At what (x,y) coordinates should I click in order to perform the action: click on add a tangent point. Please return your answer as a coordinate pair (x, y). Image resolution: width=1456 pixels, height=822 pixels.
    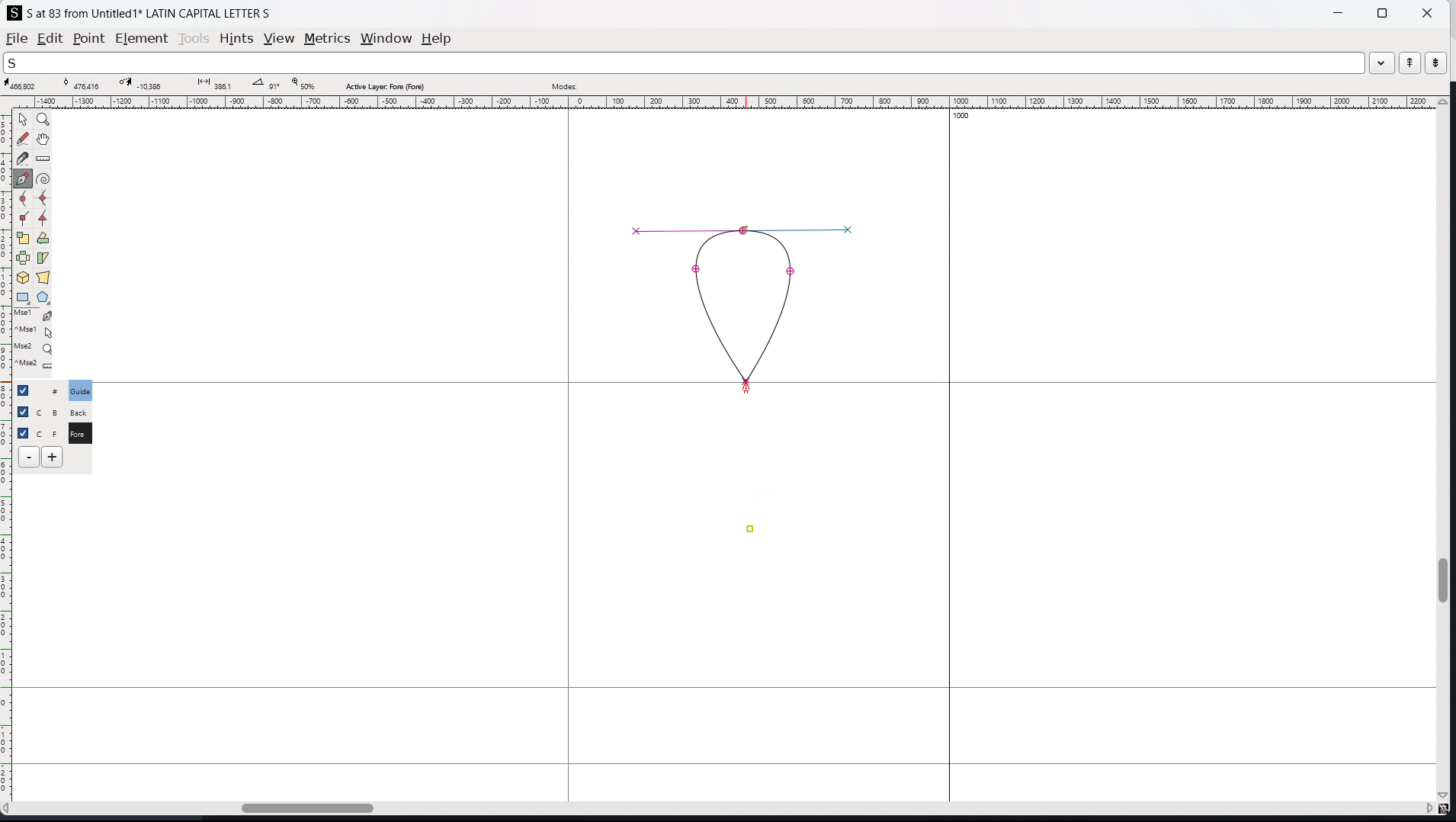
    Looking at the image, I should click on (43, 219).